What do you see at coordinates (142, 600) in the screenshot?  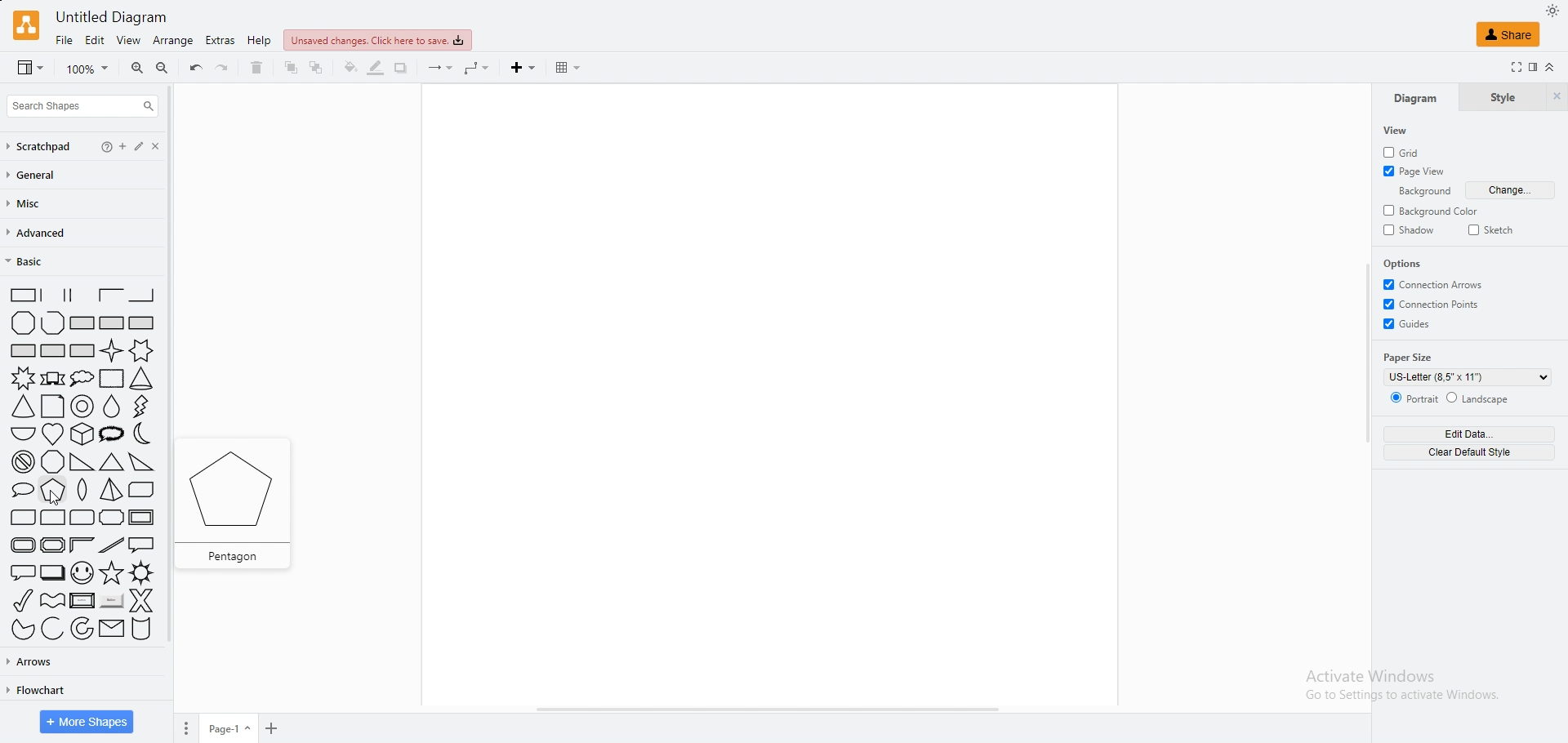 I see `X` at bounding box center [142, 600].